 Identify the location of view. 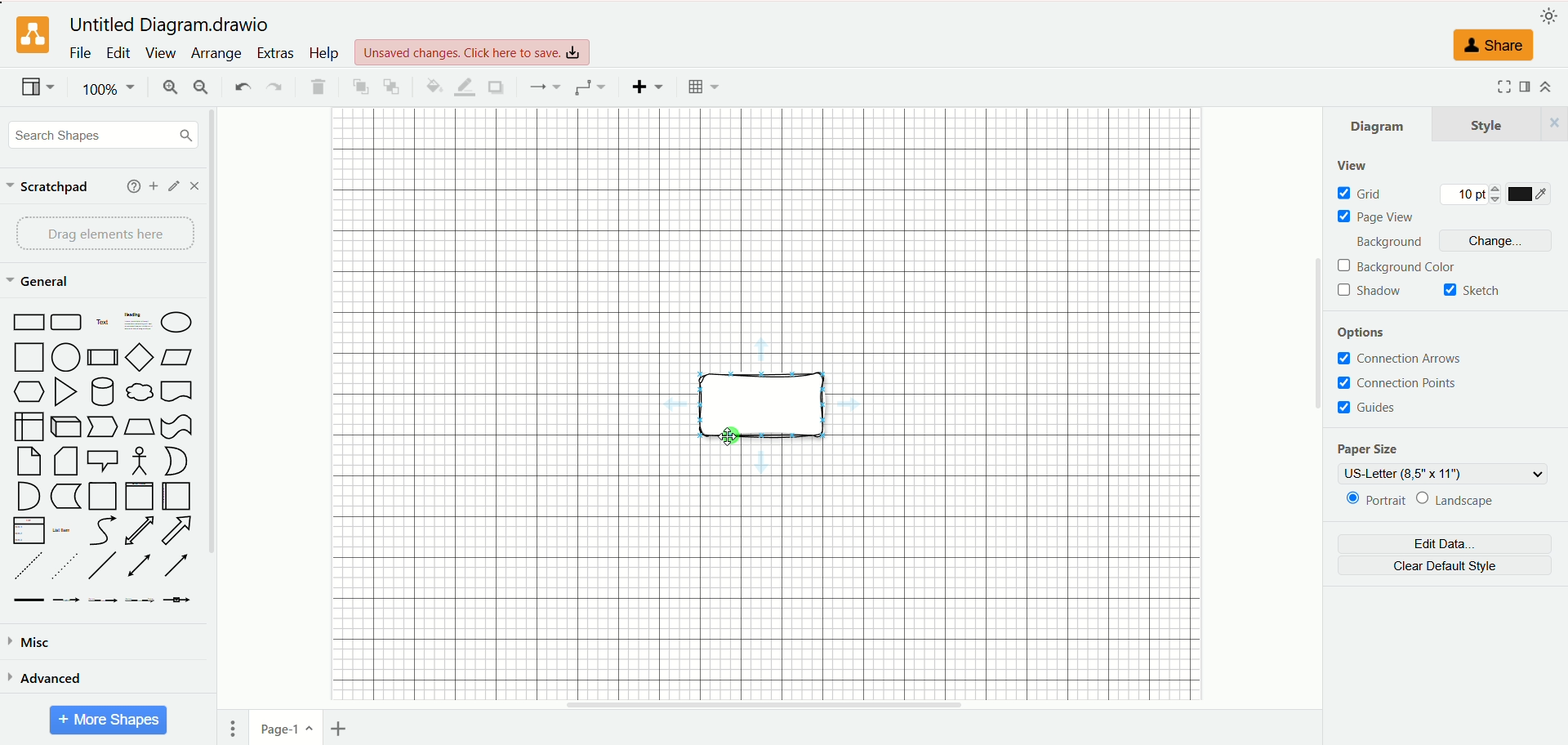
(159, 53).